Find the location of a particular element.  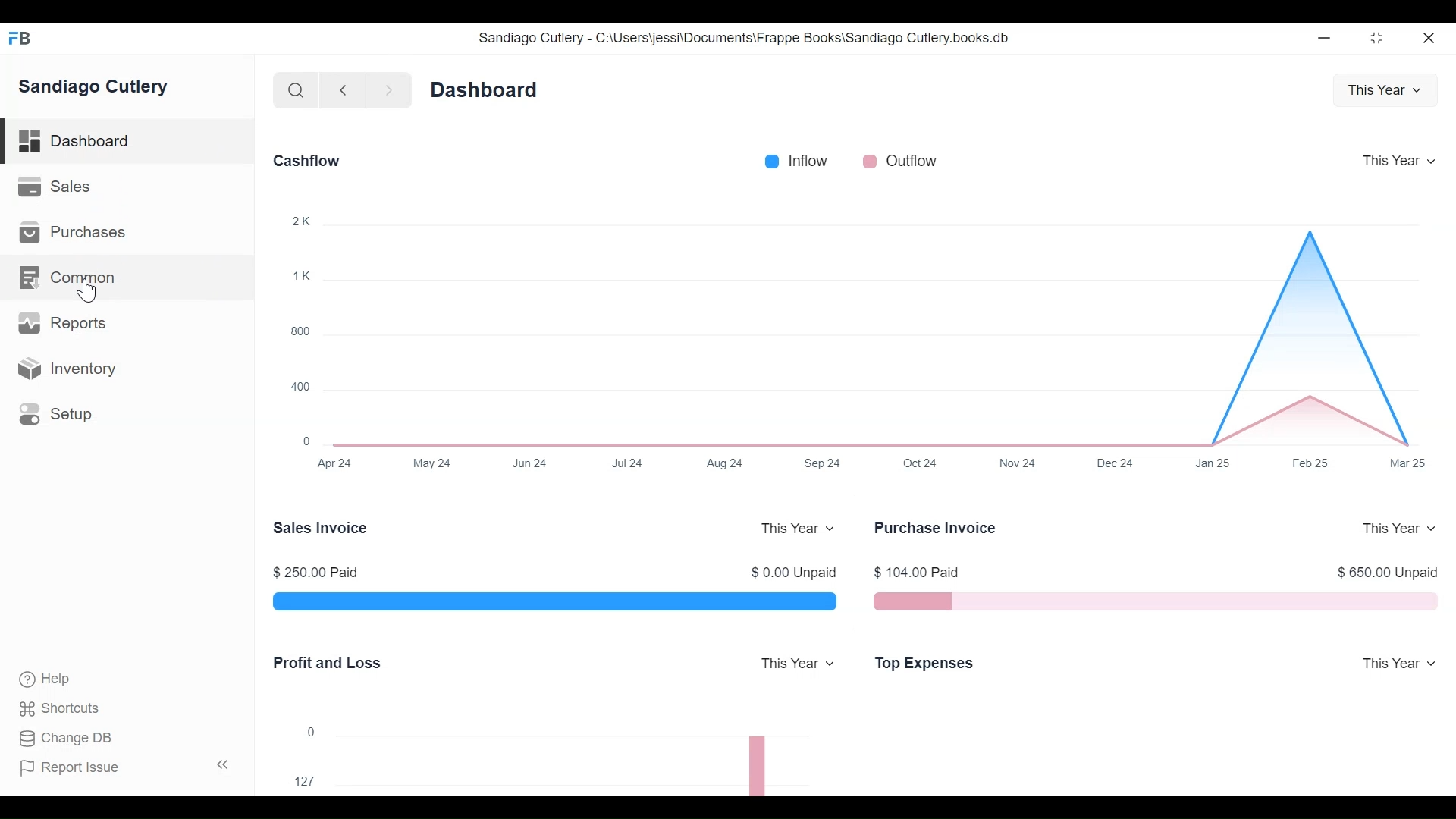

Sandiago Cutlery is located at coordinates (102, 88).